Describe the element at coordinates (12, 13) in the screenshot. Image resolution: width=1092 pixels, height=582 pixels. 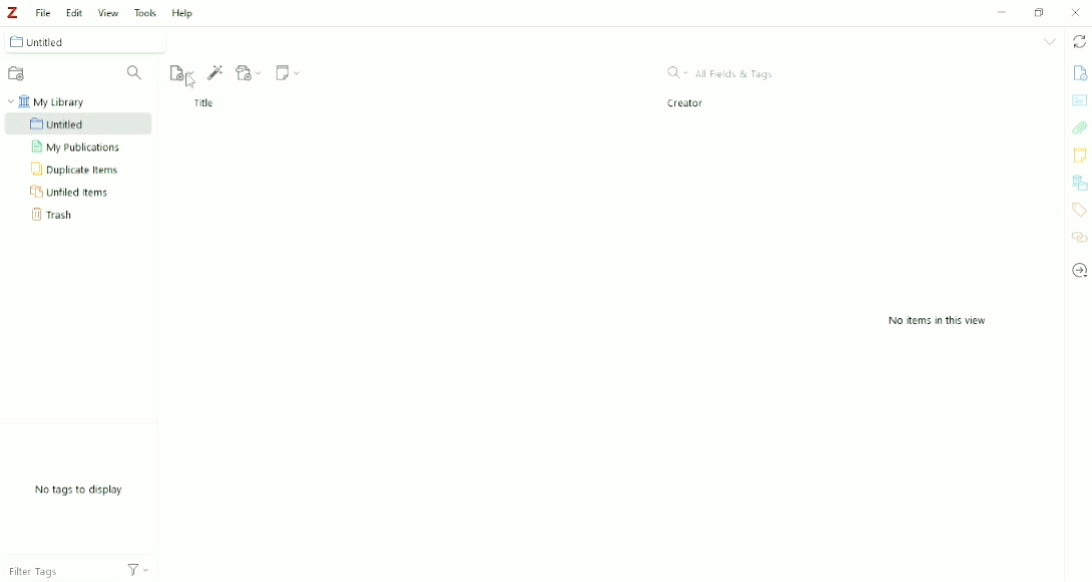
I see `Logo` at that location.